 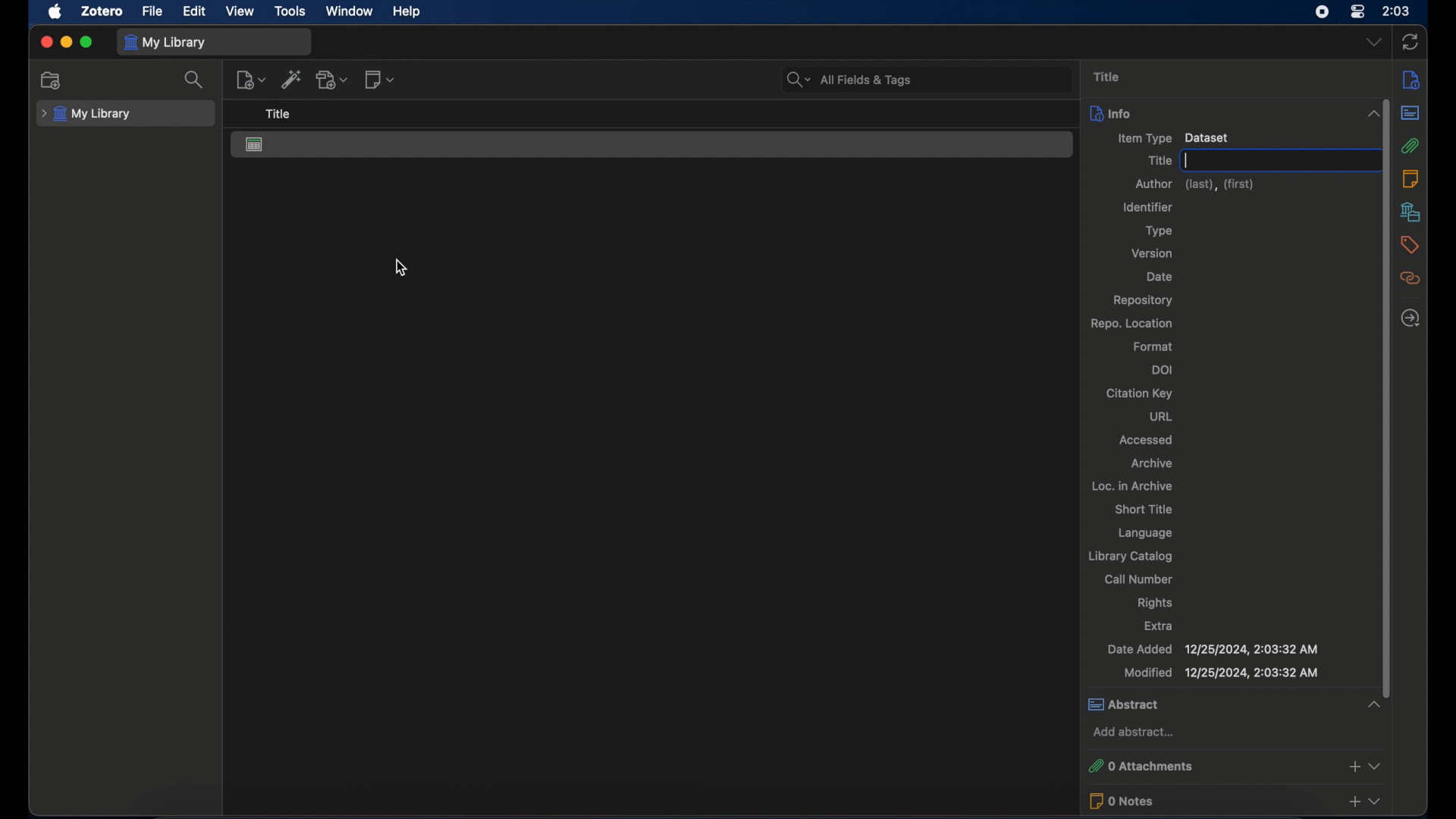 What do you see at coordinates (102, 11) in the screenshot?
I see `zotero` at bounding box center [102, 11].